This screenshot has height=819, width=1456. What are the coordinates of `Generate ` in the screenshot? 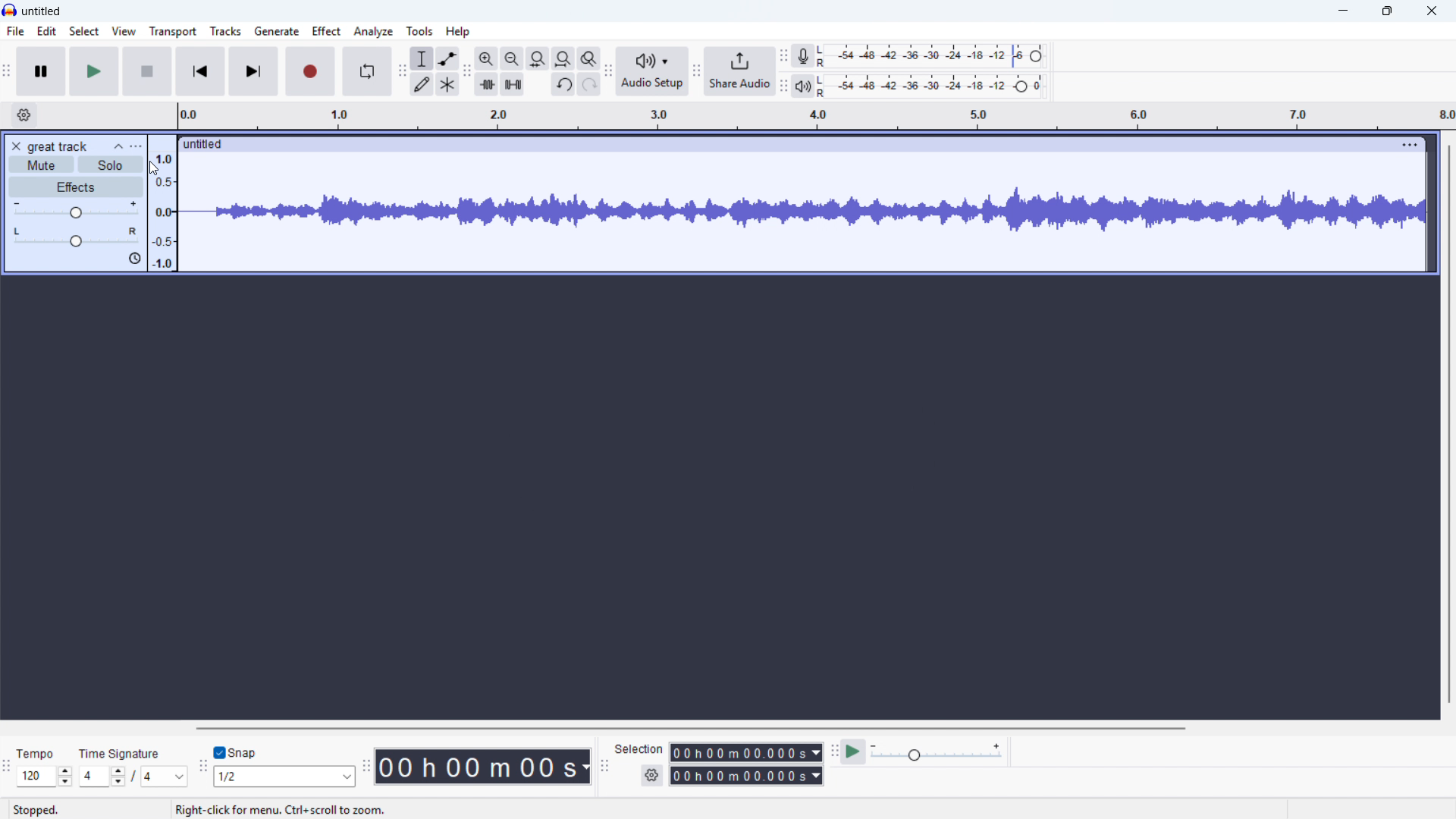 It's located at (276, 31).